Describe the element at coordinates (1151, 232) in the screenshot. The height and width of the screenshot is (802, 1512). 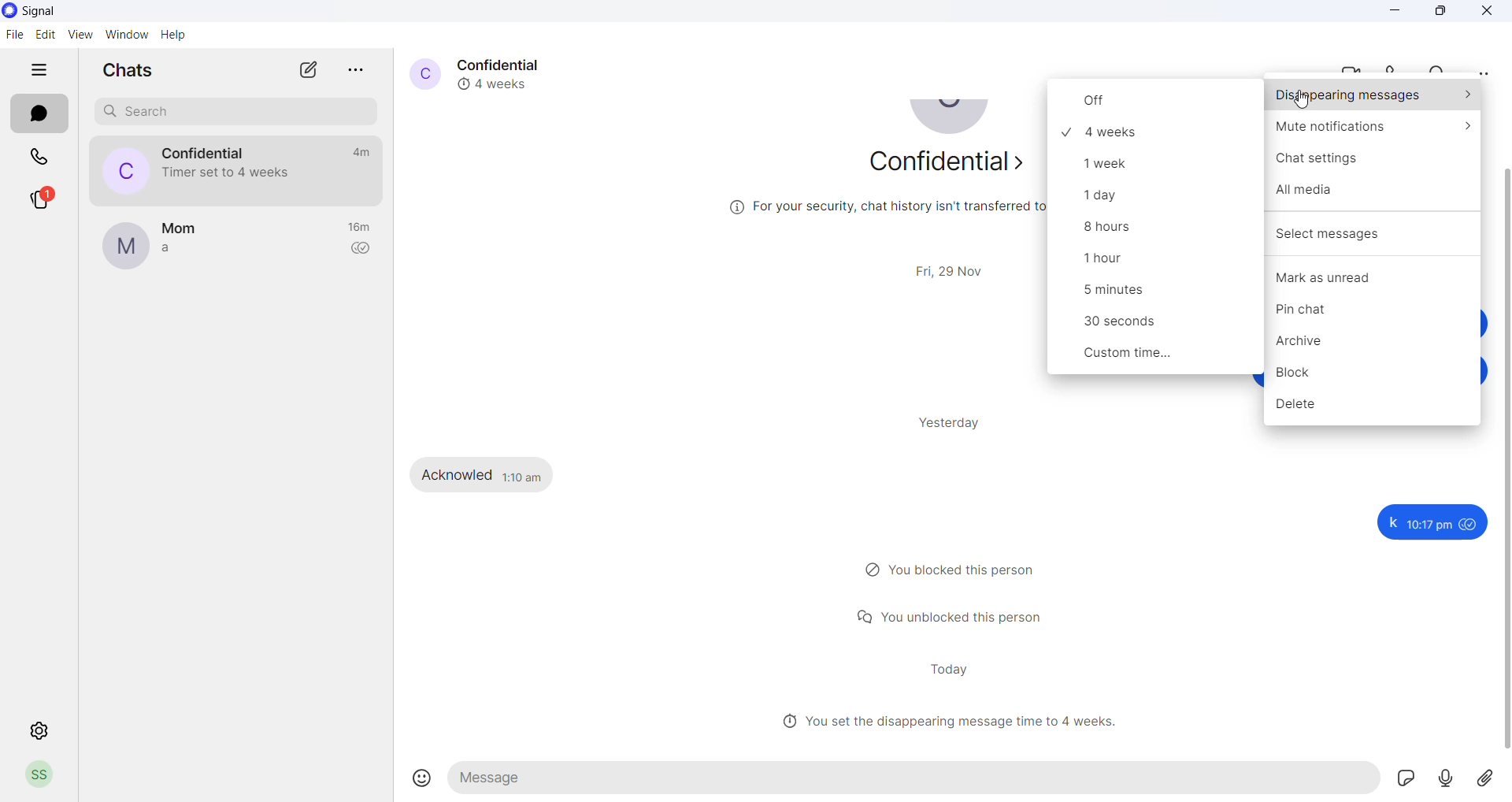
I see `disappearing messages timeframe` at that location.